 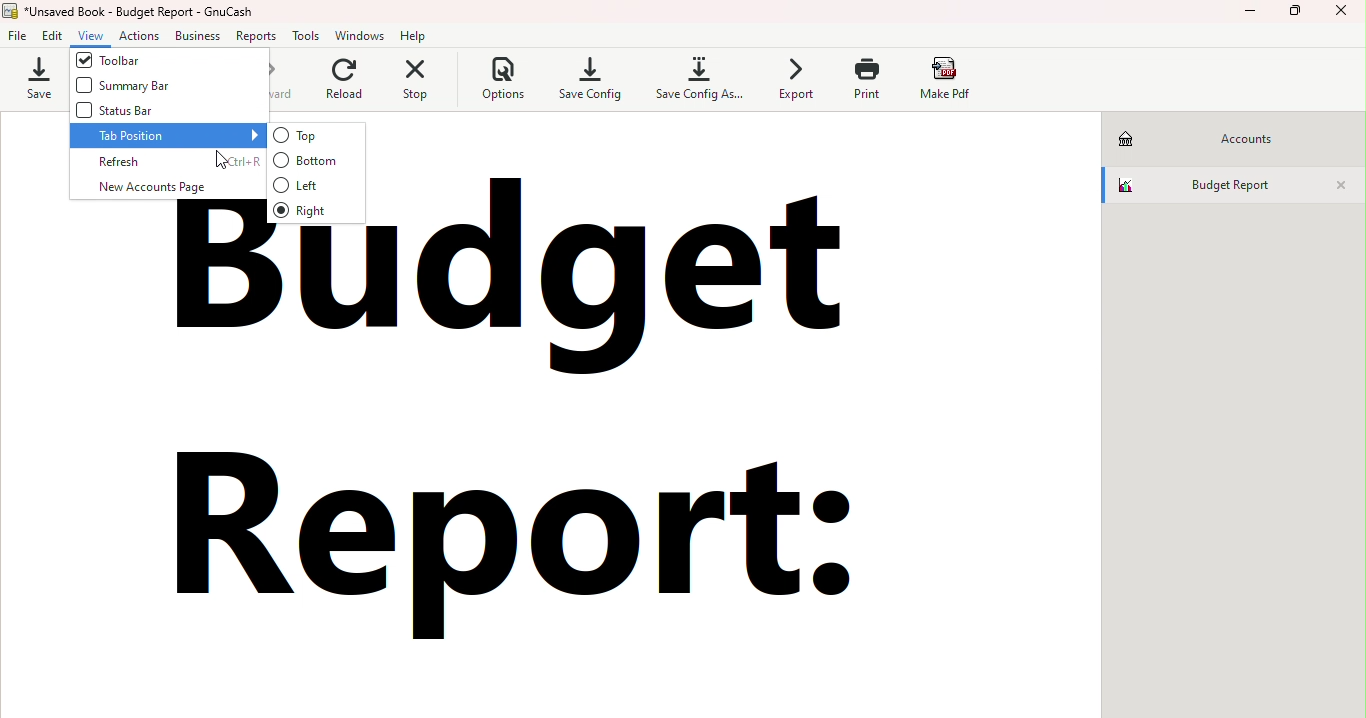 What do you see at coordinates (168, 160) in the screenshot?
I see `Refresh` at bounding box center [168, 160].